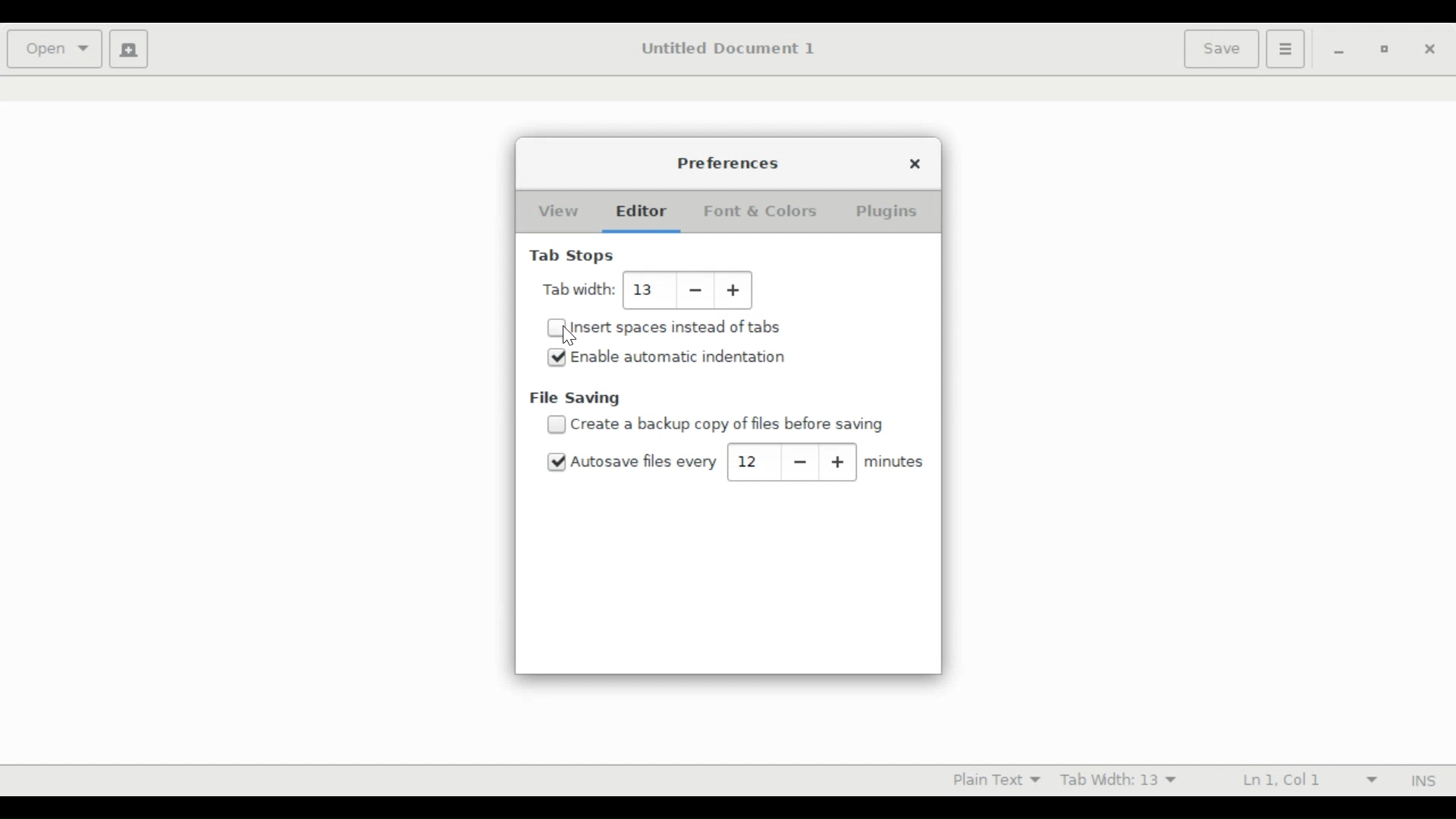  Describe the element at coordinates (802, 461) in the screenshot. I see `Decrease` at that location.